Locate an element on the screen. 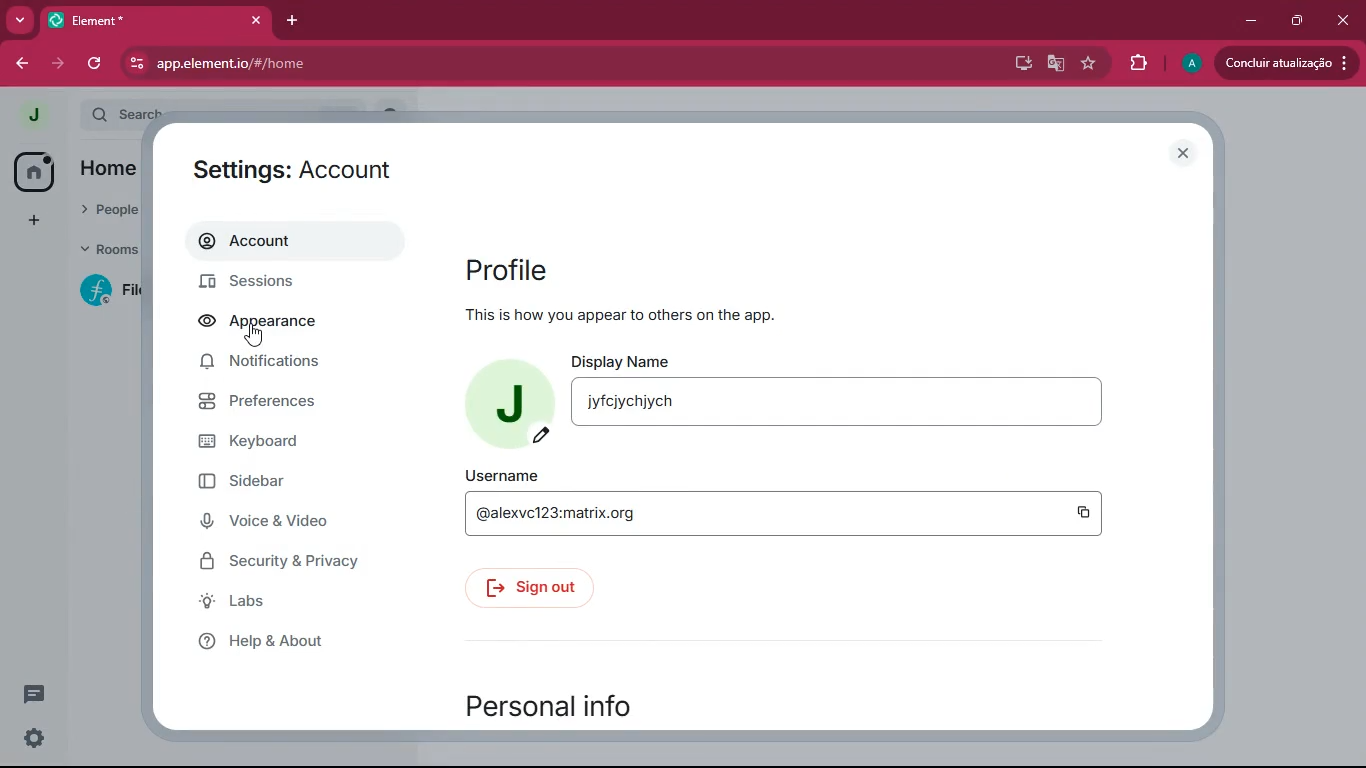 The width and height of the screenshot is (1366, 768). profile is located at coordinates (35, 115).